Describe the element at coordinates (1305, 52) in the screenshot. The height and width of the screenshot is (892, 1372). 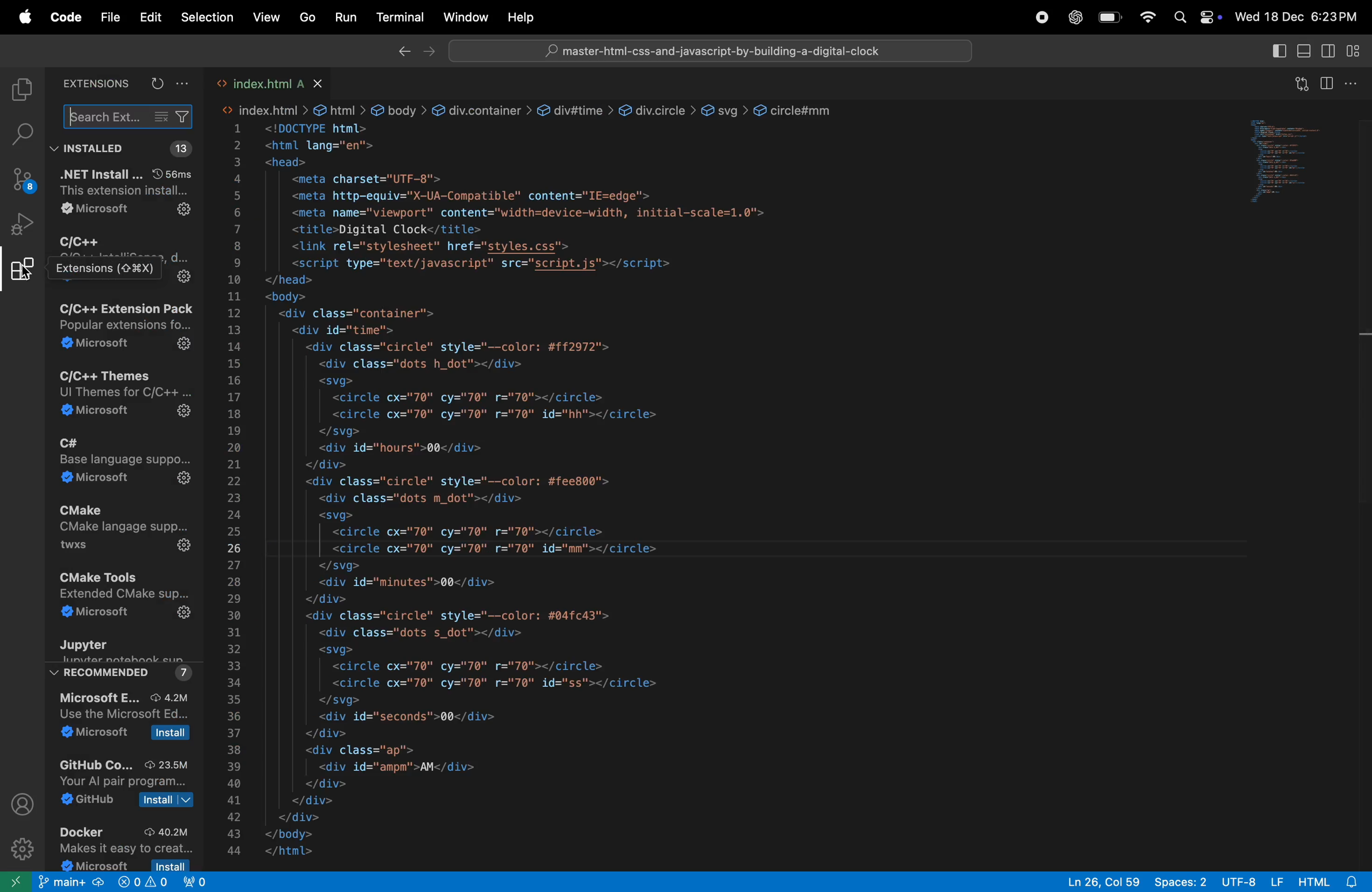
I see `toggle panel` at that location.